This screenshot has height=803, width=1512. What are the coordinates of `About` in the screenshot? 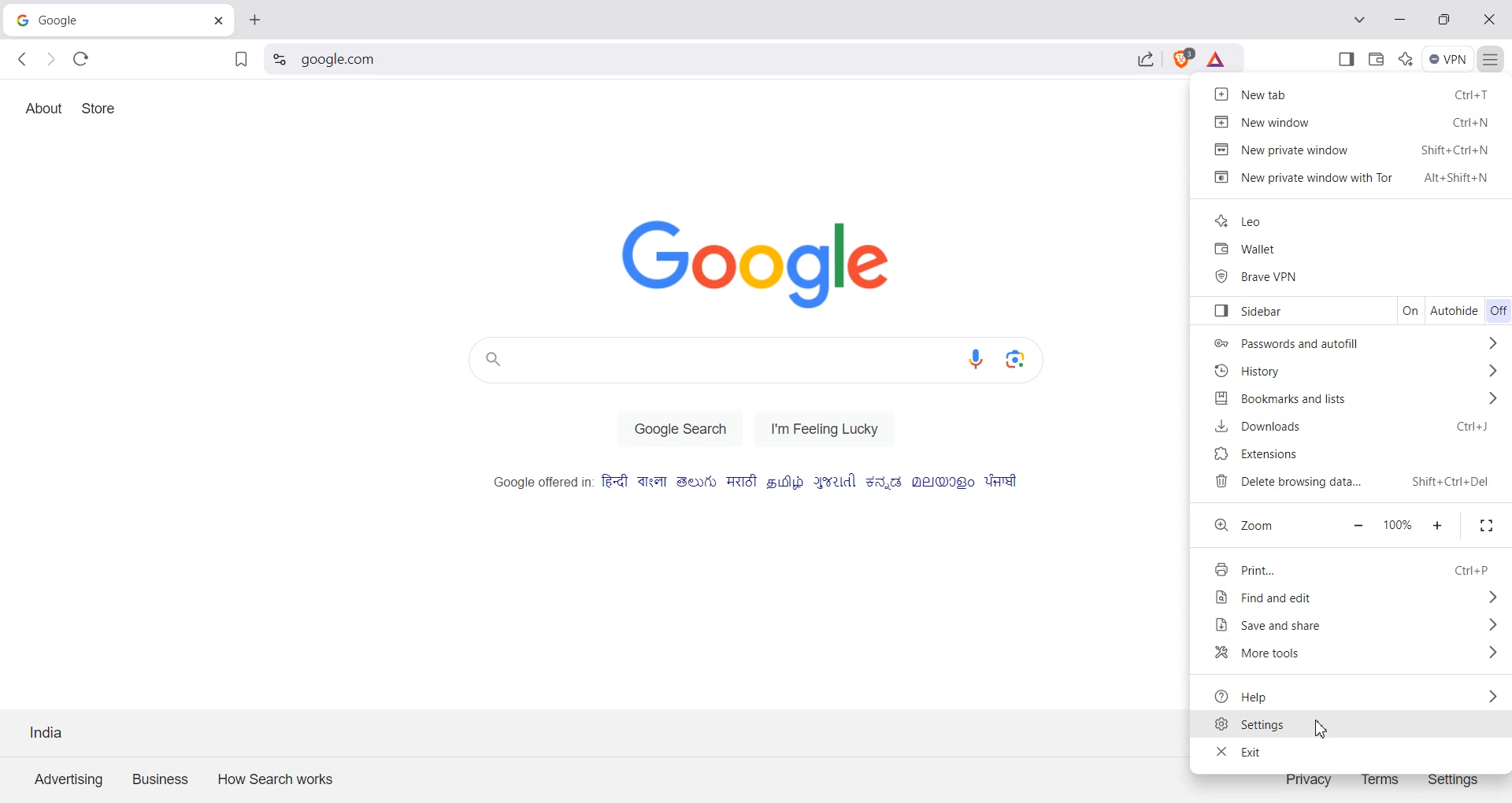 It's located at (43, 109).